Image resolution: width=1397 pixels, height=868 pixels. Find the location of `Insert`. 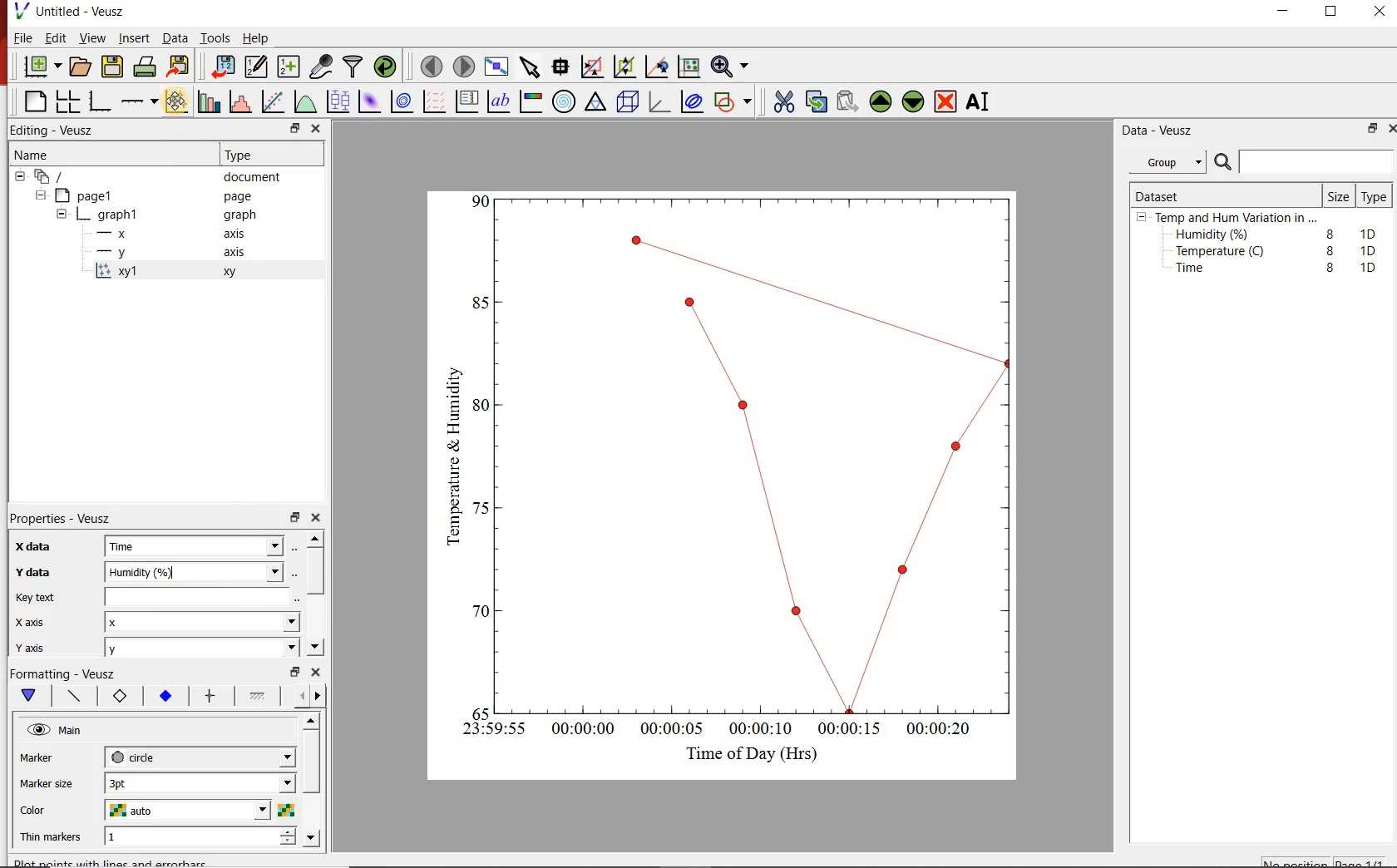

Insert is located at coordinates (131, 38).